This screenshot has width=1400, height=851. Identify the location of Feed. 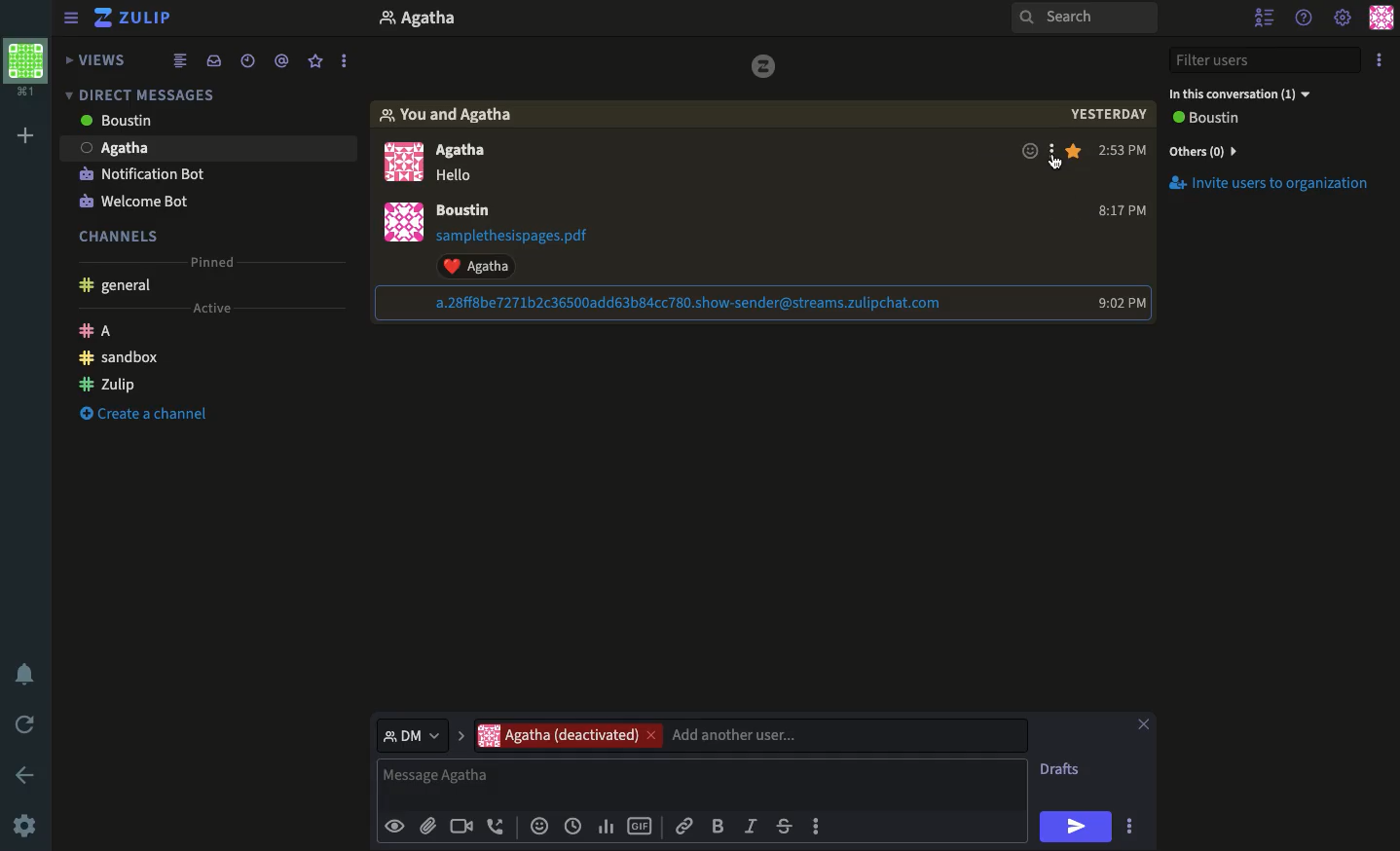
(183, 59).